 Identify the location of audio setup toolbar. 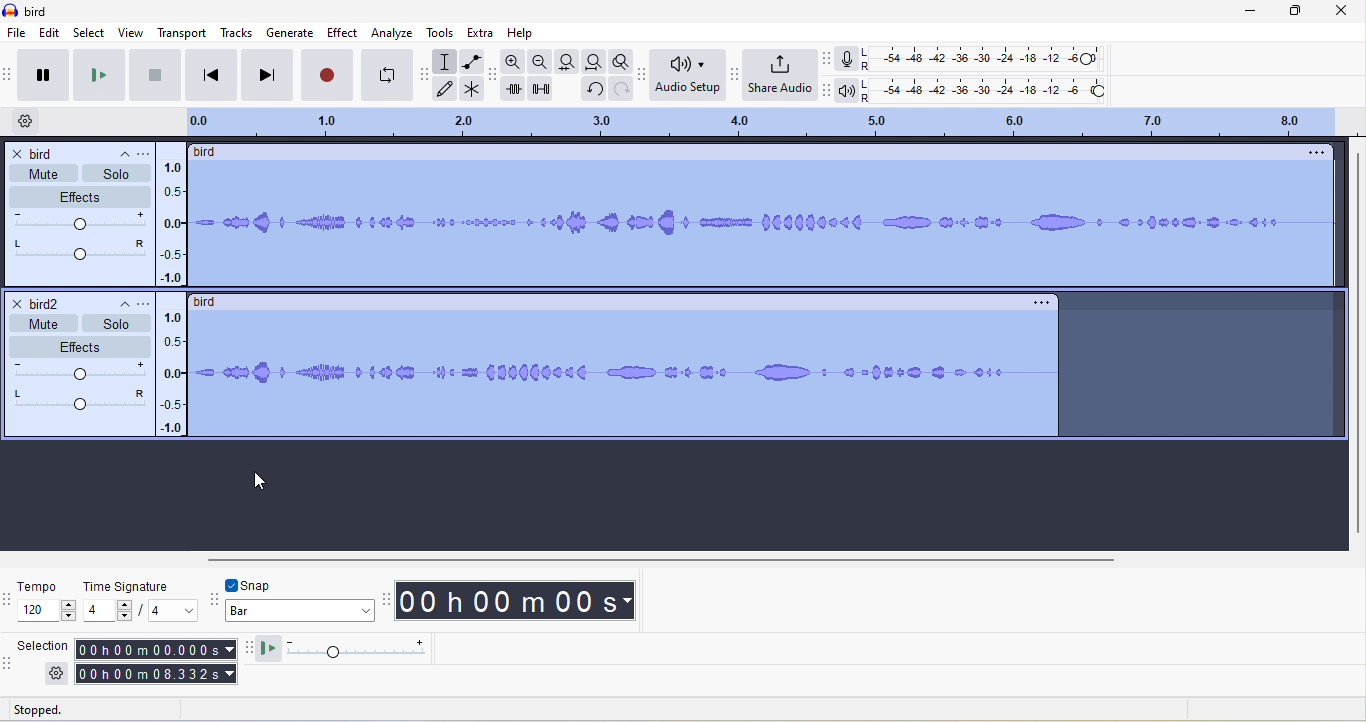
(689, 74).